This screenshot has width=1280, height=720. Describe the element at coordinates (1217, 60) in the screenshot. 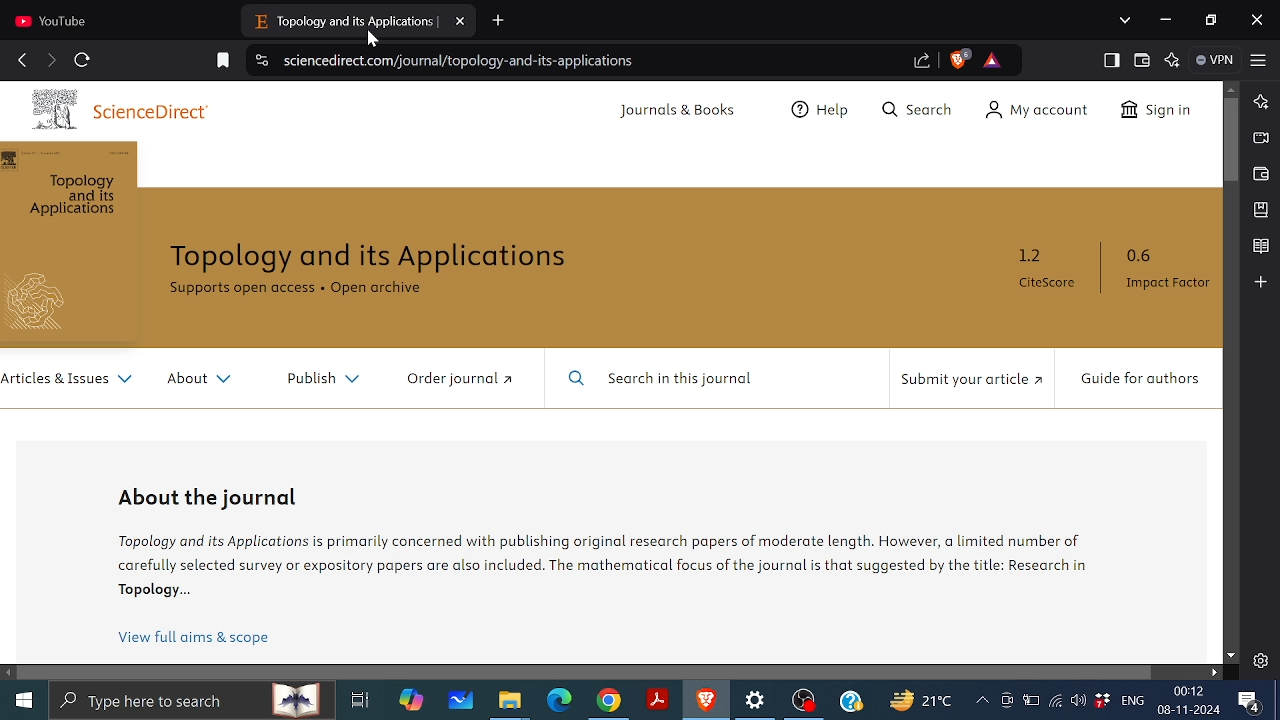

I see `VPN` at that location.